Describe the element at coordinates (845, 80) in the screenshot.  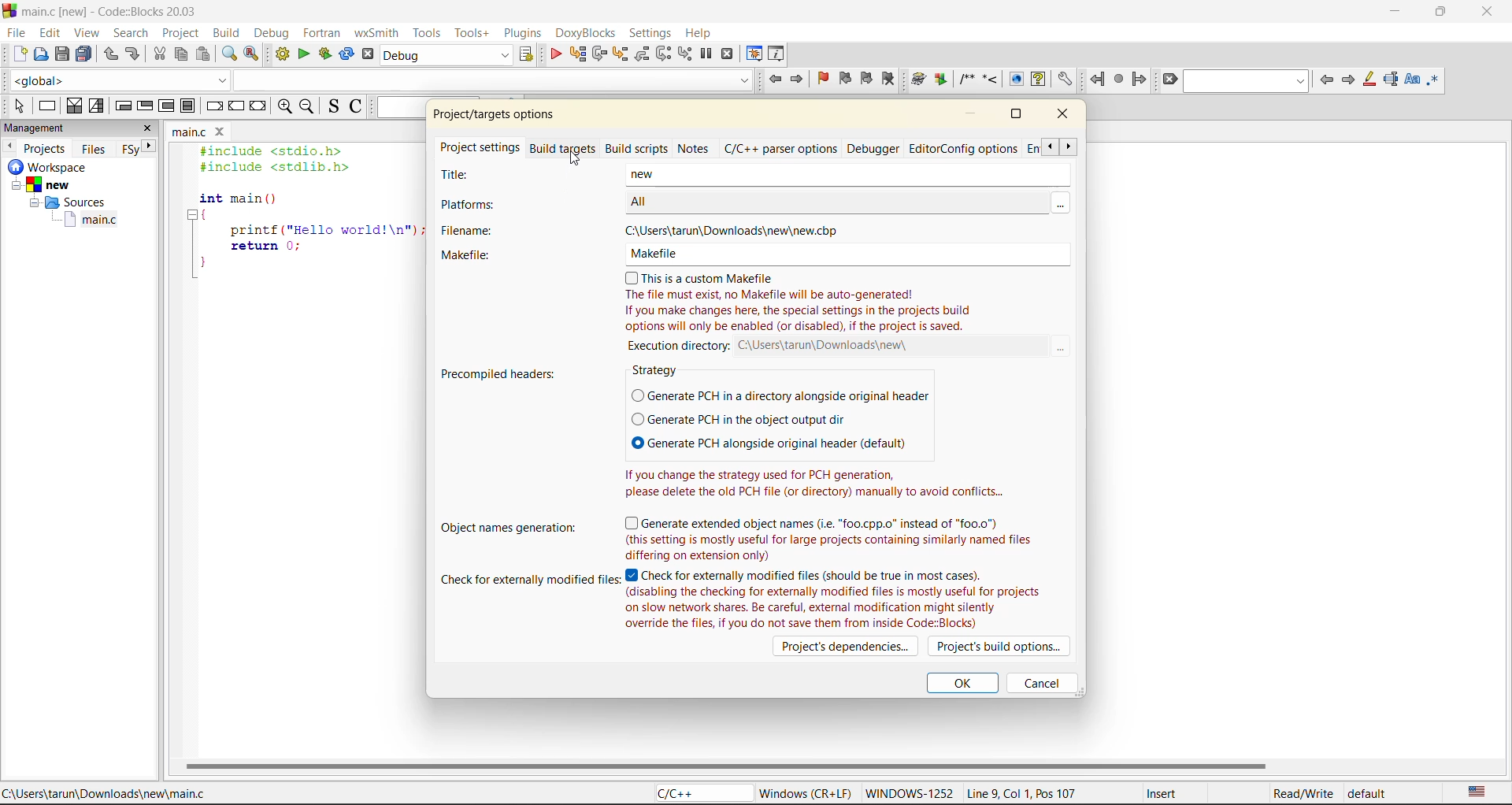
I see `prev bookmark` at that location.